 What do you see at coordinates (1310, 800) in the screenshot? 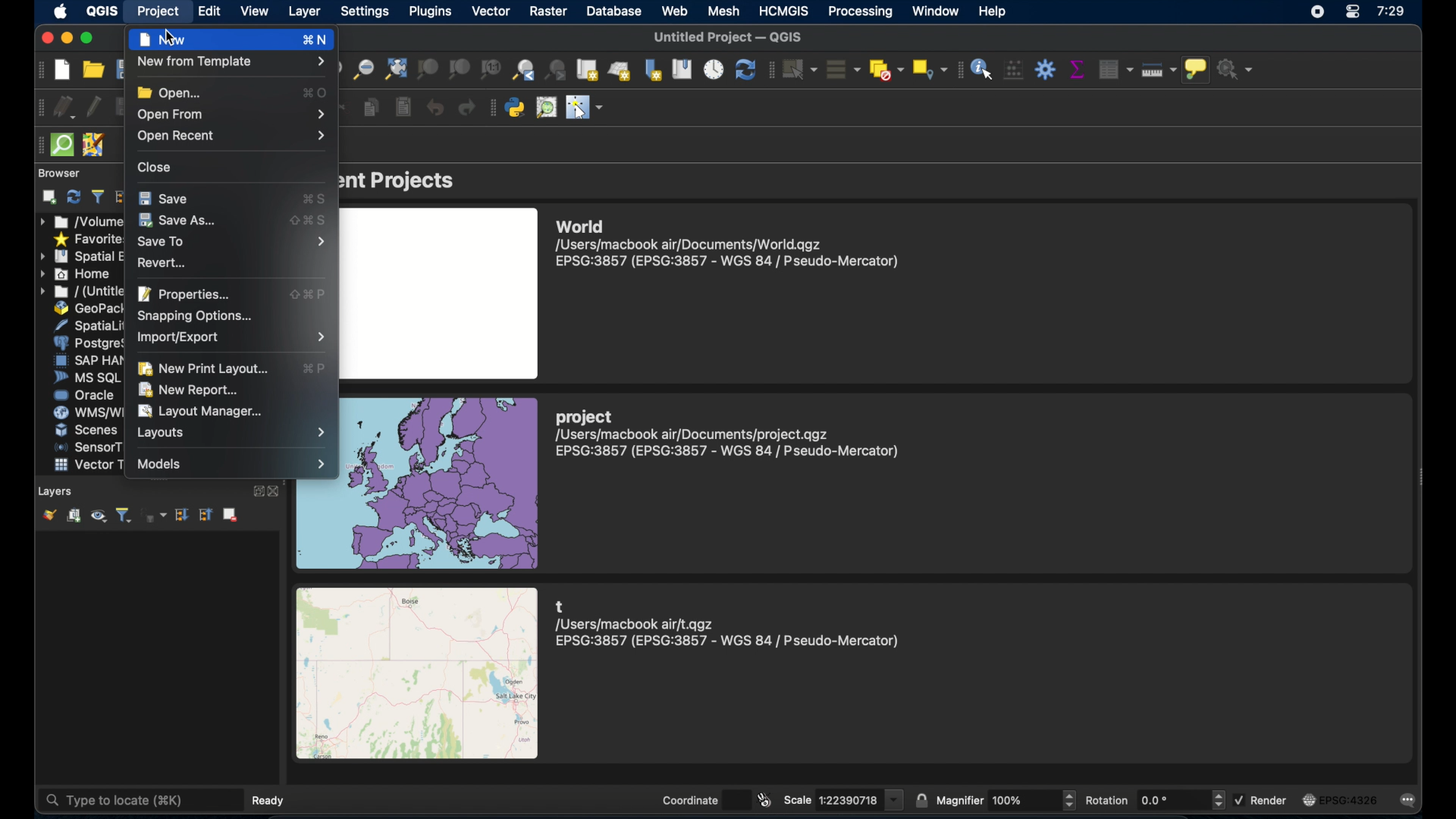
I see `image` at bounding box center [1310, 800].